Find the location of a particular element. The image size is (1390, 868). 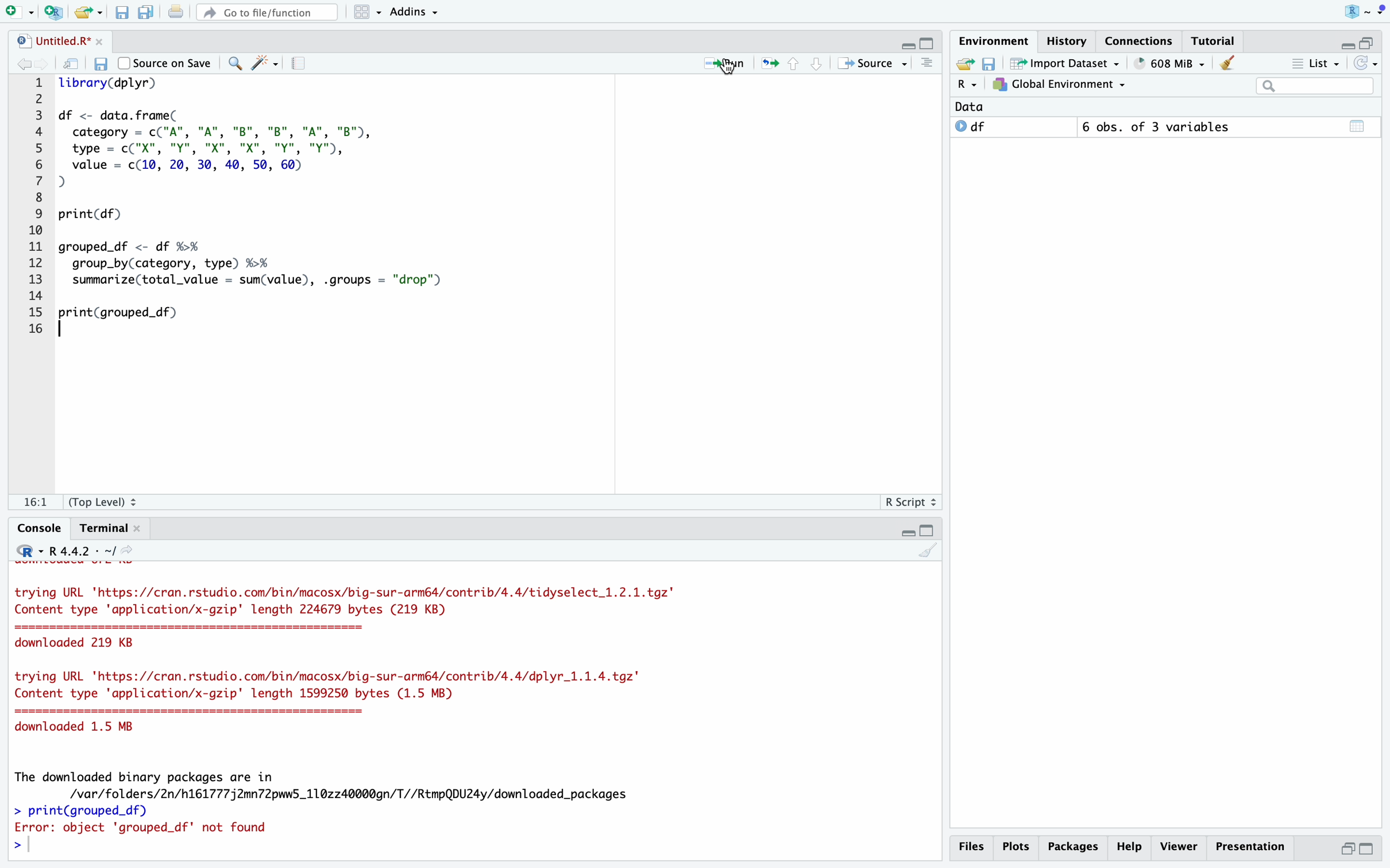

Import Dataset is located at coordinates (1067, 63).